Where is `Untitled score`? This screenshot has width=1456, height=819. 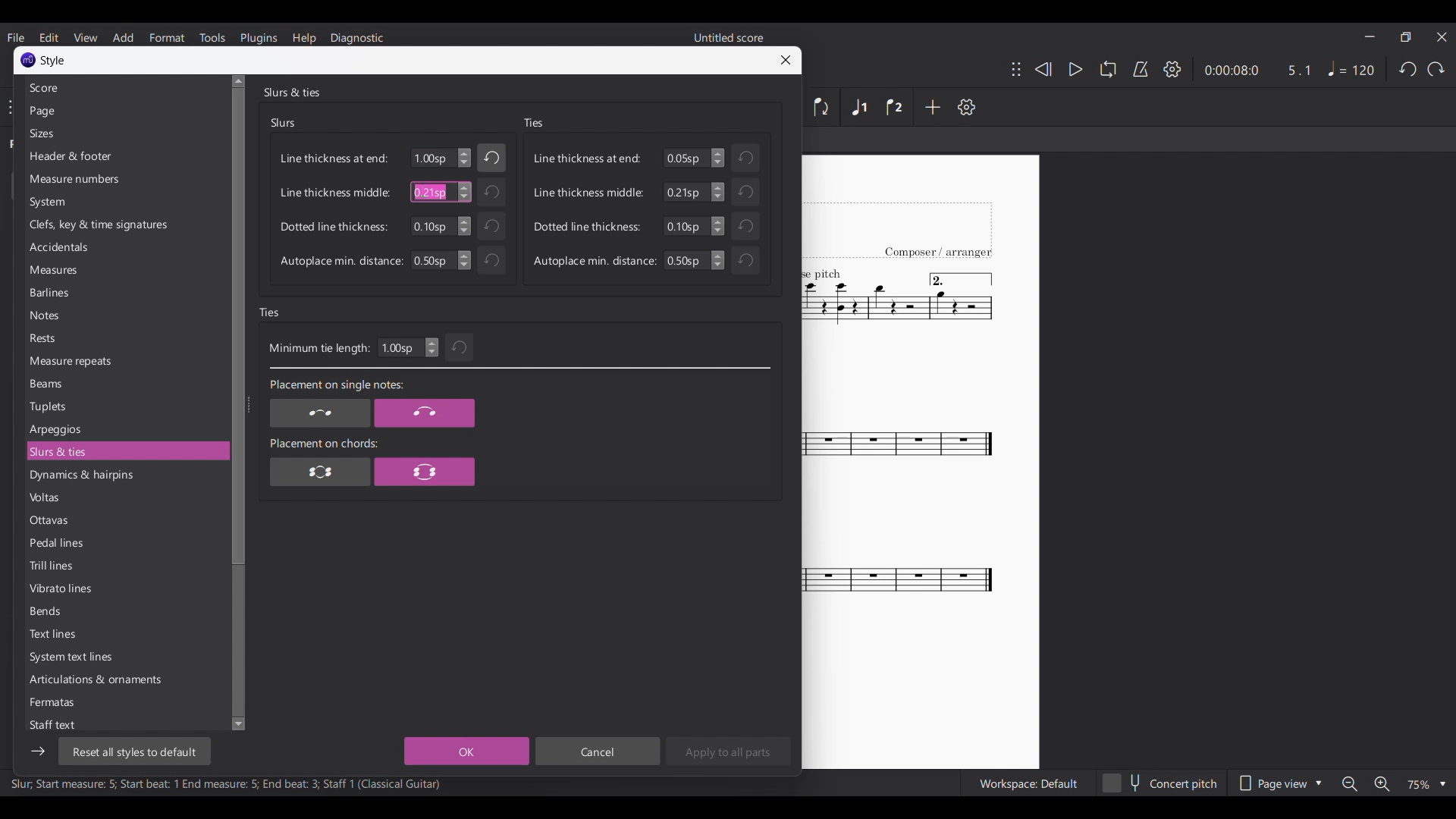 Untitled score is located at coordinates (729, 37).